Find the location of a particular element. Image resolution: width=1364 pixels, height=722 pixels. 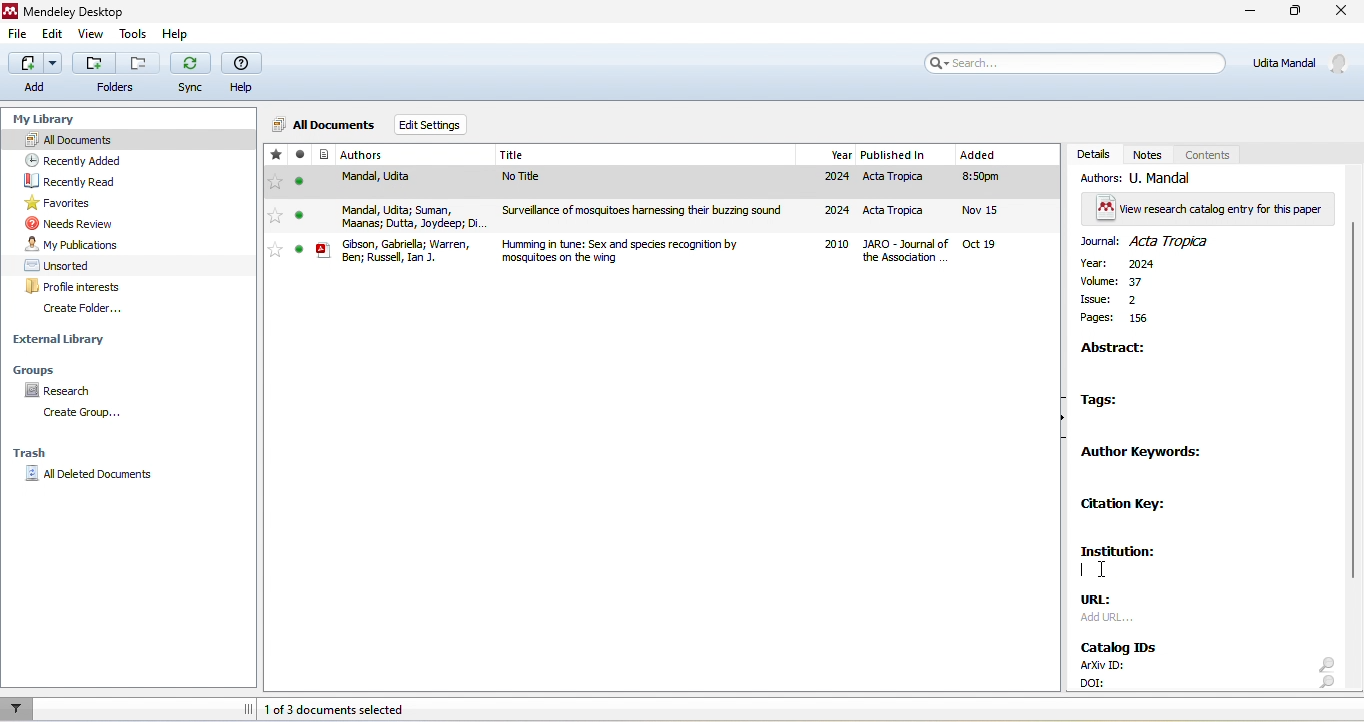

create folder is located at coordinates (101, 311).